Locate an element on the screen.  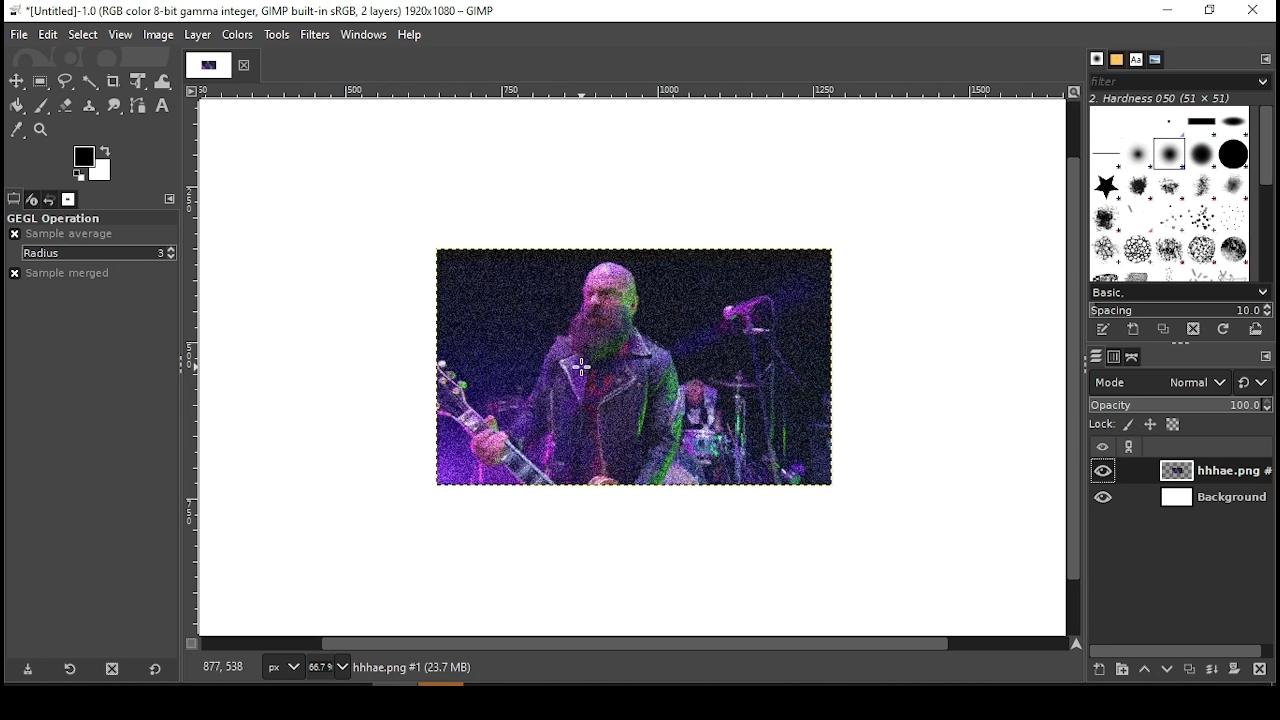
view is located at coordinates (120, 35).